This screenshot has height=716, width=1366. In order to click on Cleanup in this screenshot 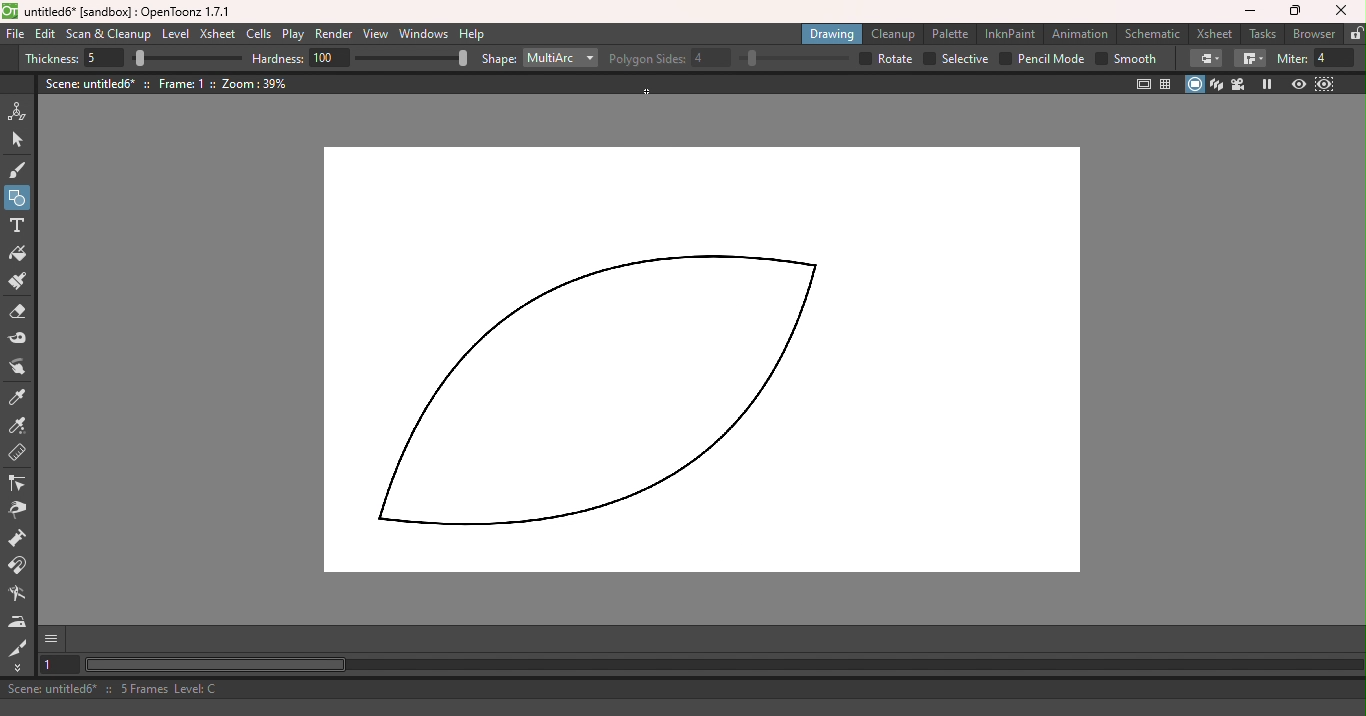, I will do `click(892, 35)`.